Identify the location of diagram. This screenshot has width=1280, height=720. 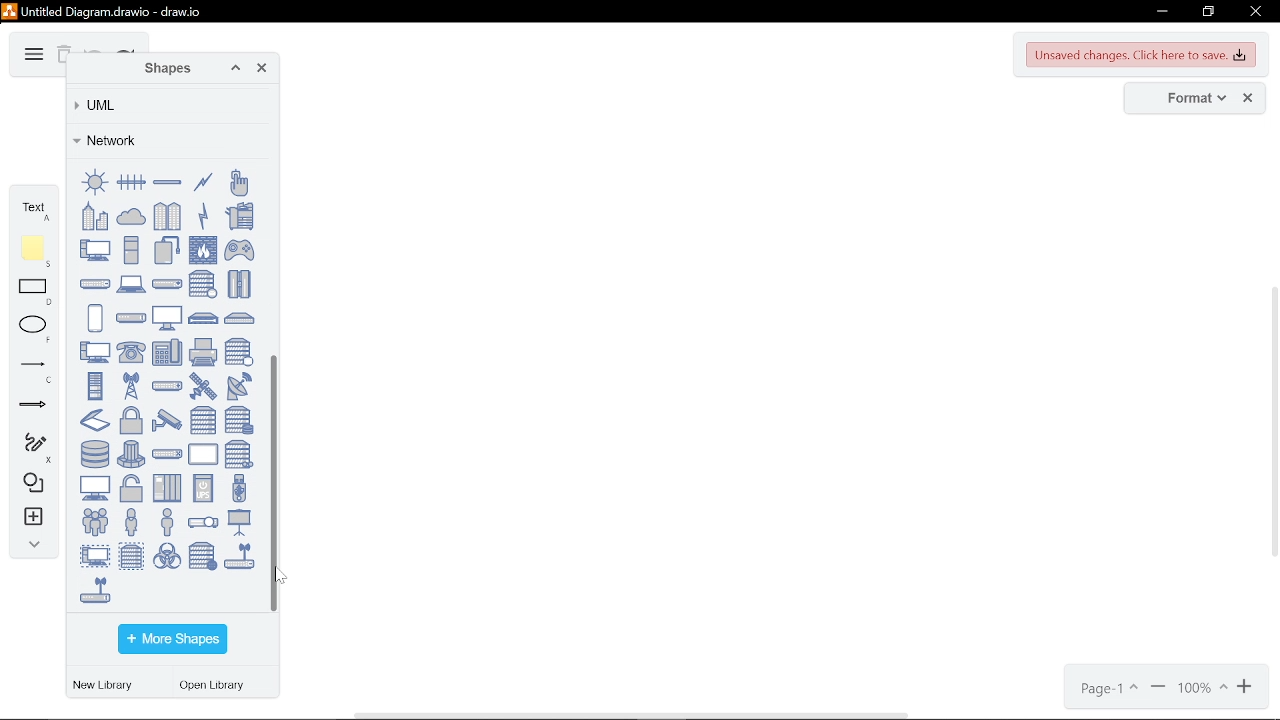
(32, 55).